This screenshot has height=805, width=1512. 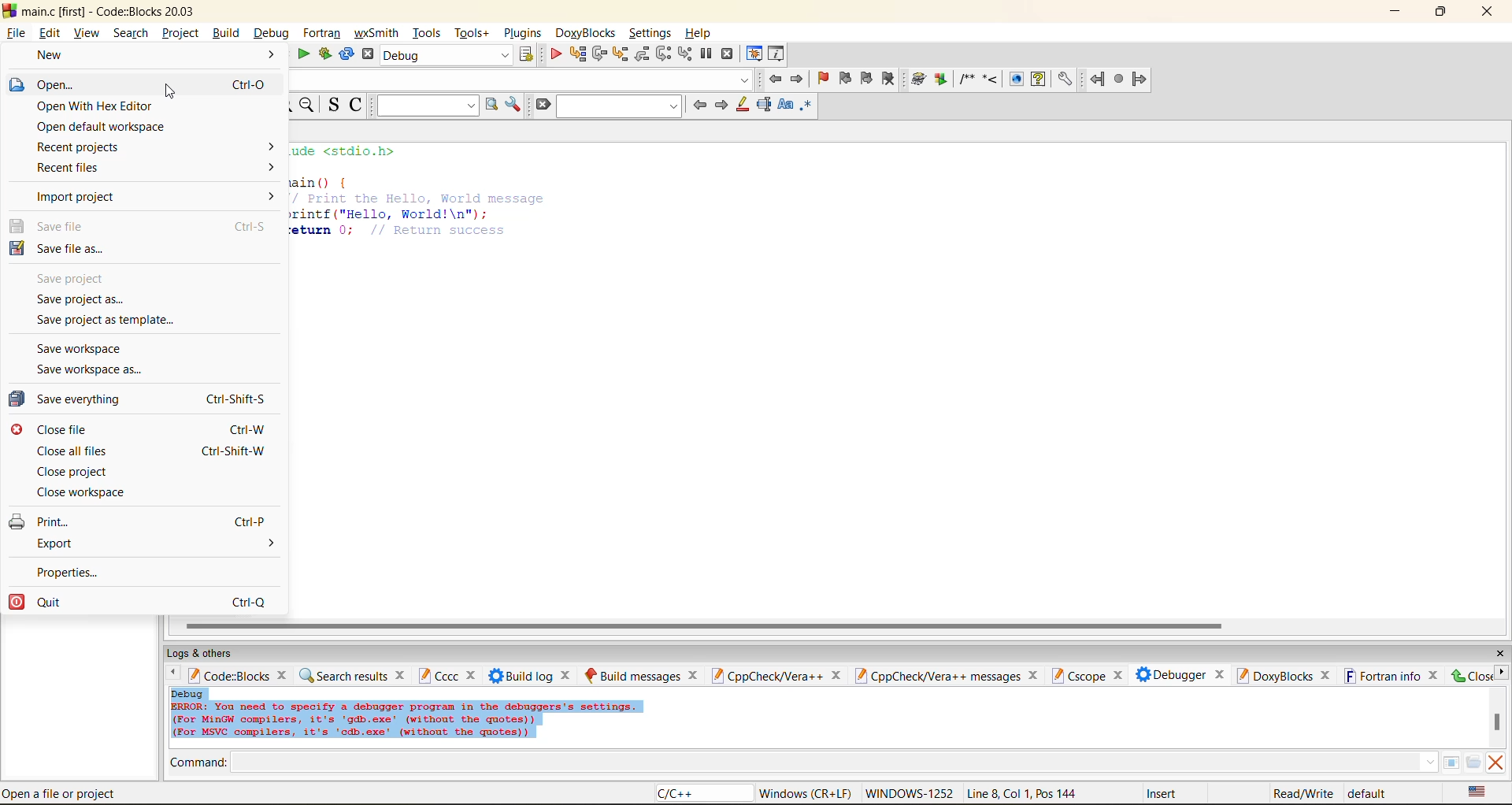 What do you see at coordinates (764, 105) in the screenshot?
I see `selected text` at bounding box center [764, 105].